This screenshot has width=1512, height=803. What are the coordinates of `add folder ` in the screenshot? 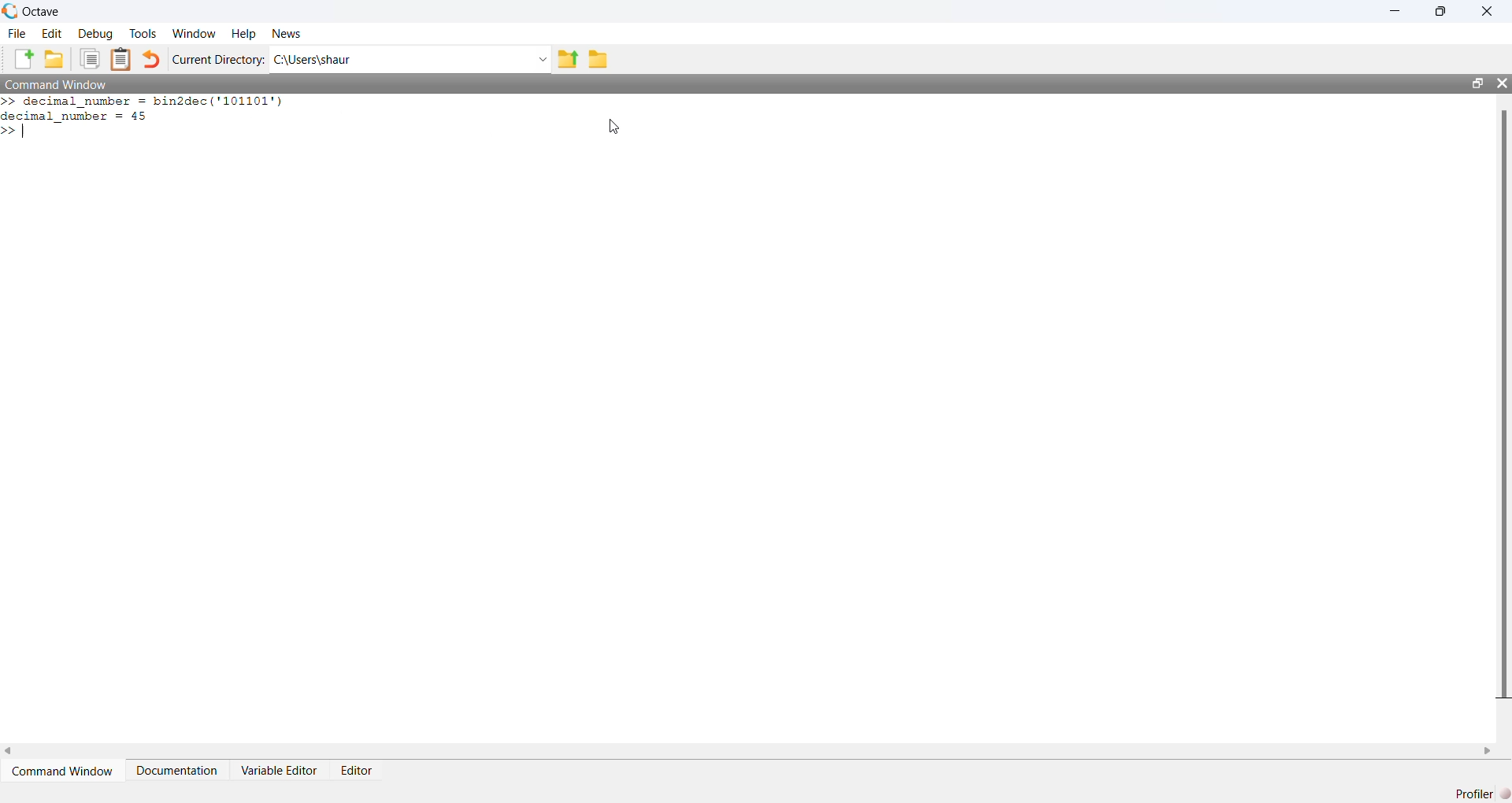 It's located at (54, 58).